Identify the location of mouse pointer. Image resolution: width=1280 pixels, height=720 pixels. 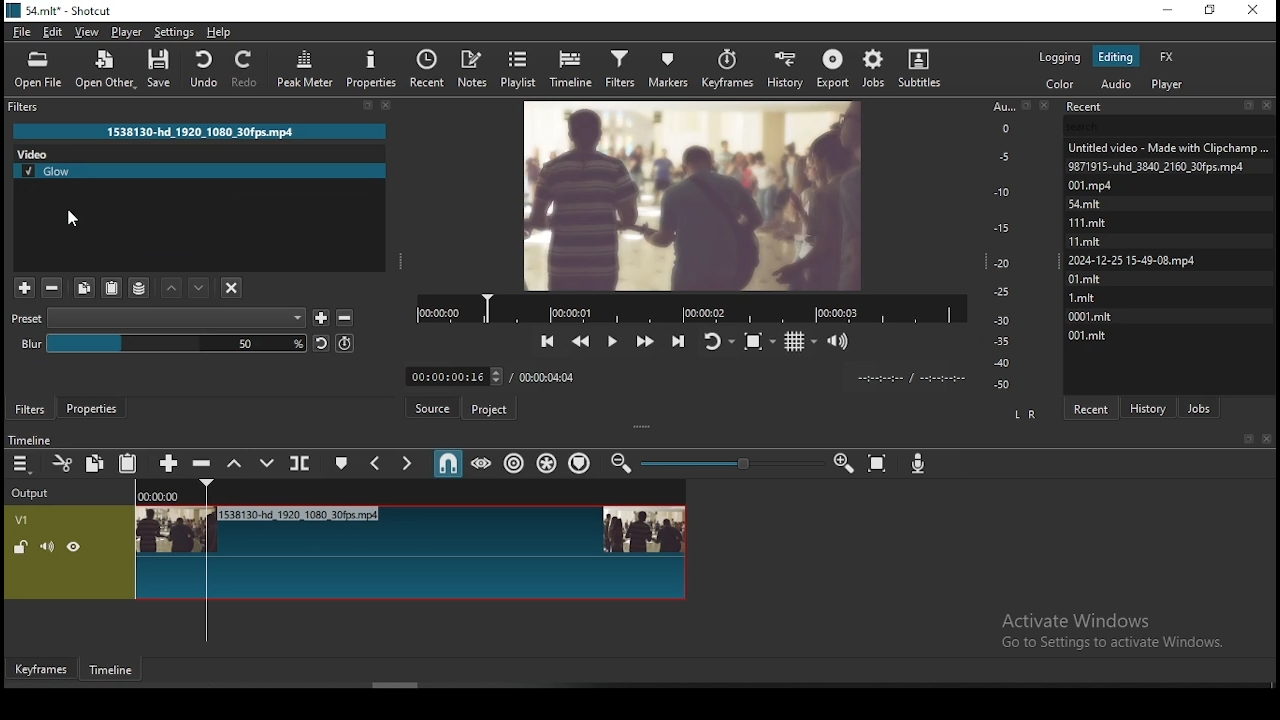
(71, 219).